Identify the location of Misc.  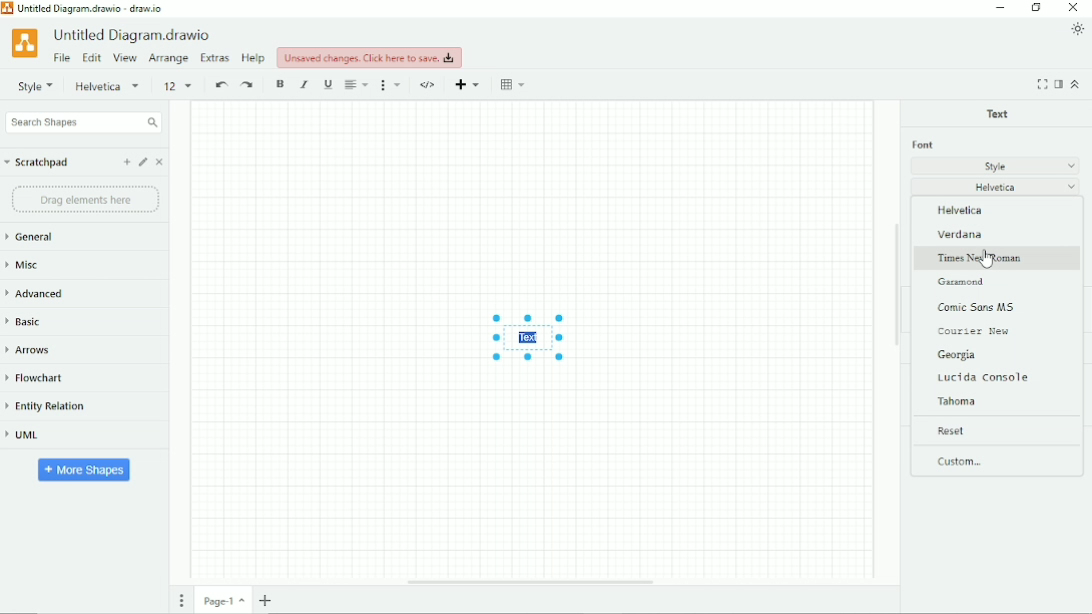
(26, 265).